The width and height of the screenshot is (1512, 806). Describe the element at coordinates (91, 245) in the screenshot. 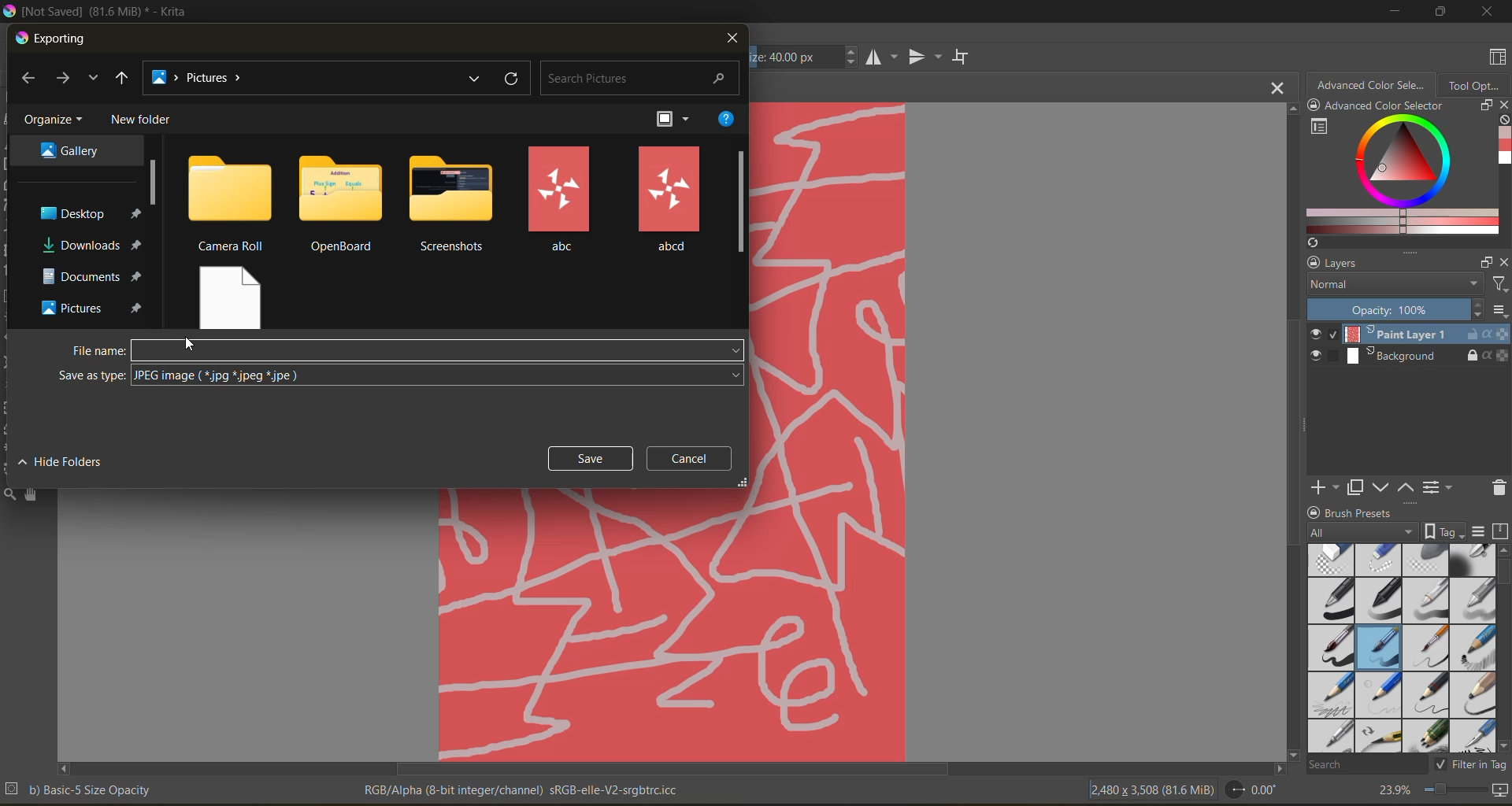

I see `folder destination` at that location.